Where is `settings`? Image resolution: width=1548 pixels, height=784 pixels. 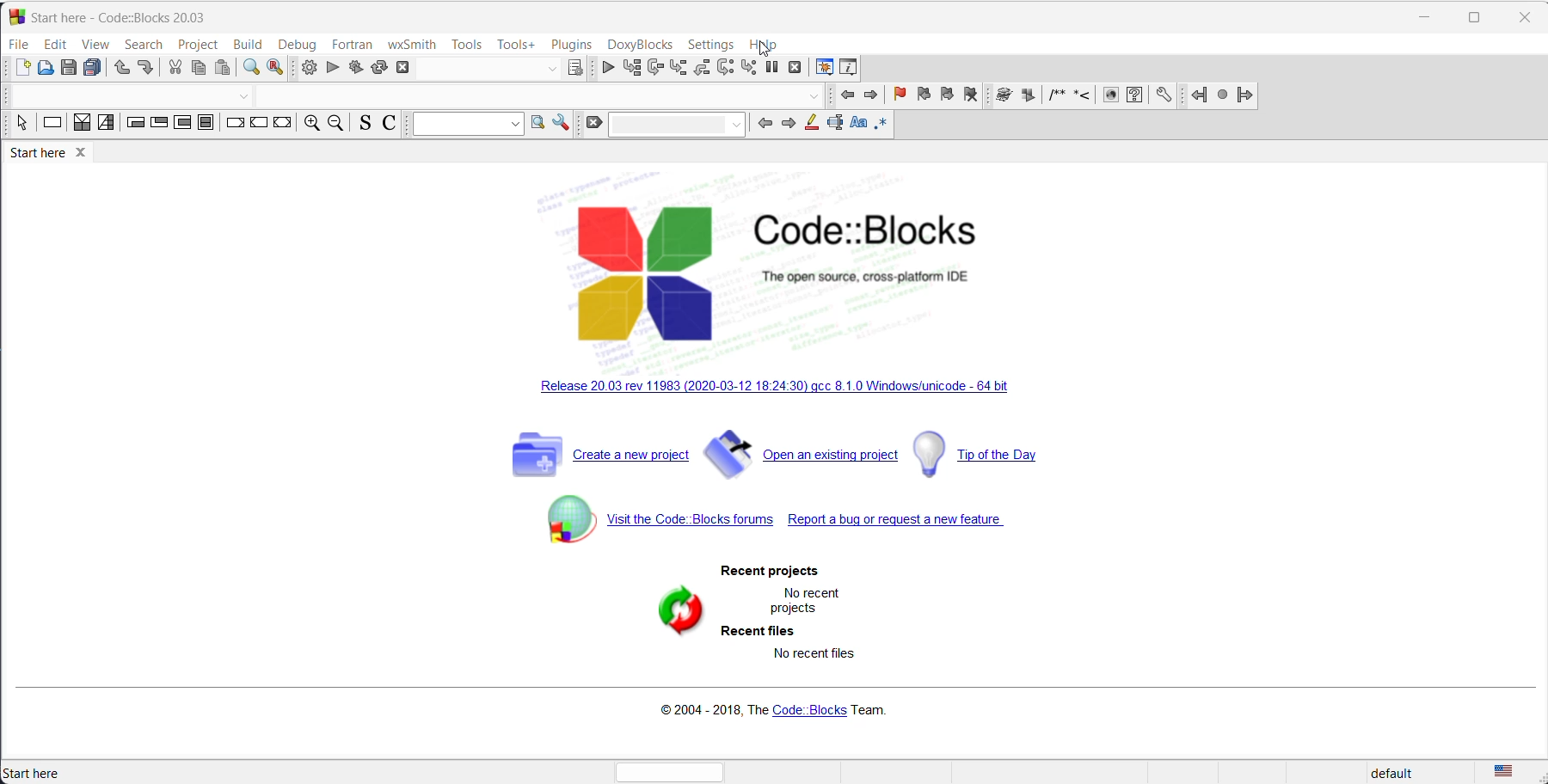
settings is located at coordinates (710, 45).